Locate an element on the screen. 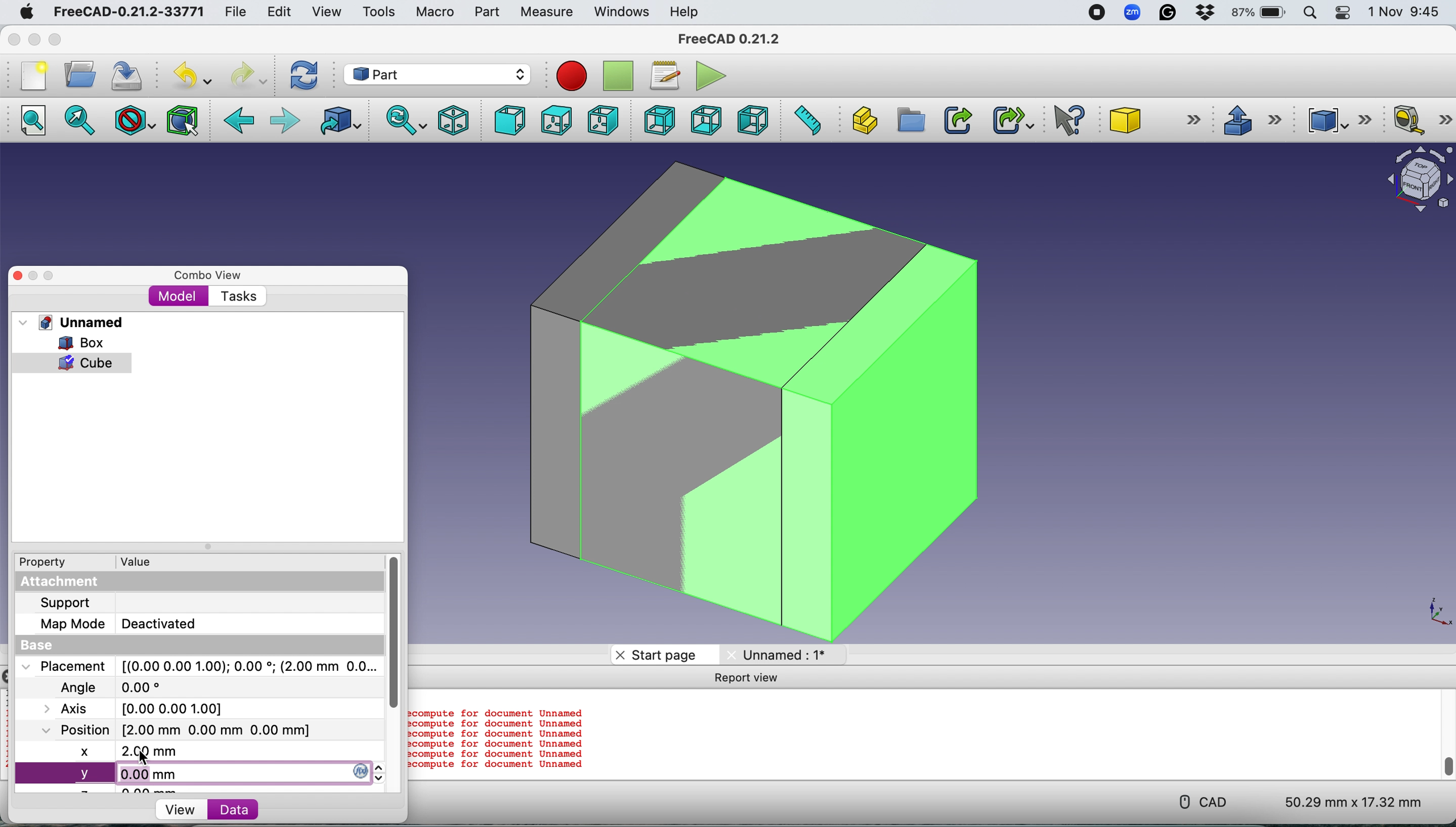  Data is located at coordinates (260, 811).